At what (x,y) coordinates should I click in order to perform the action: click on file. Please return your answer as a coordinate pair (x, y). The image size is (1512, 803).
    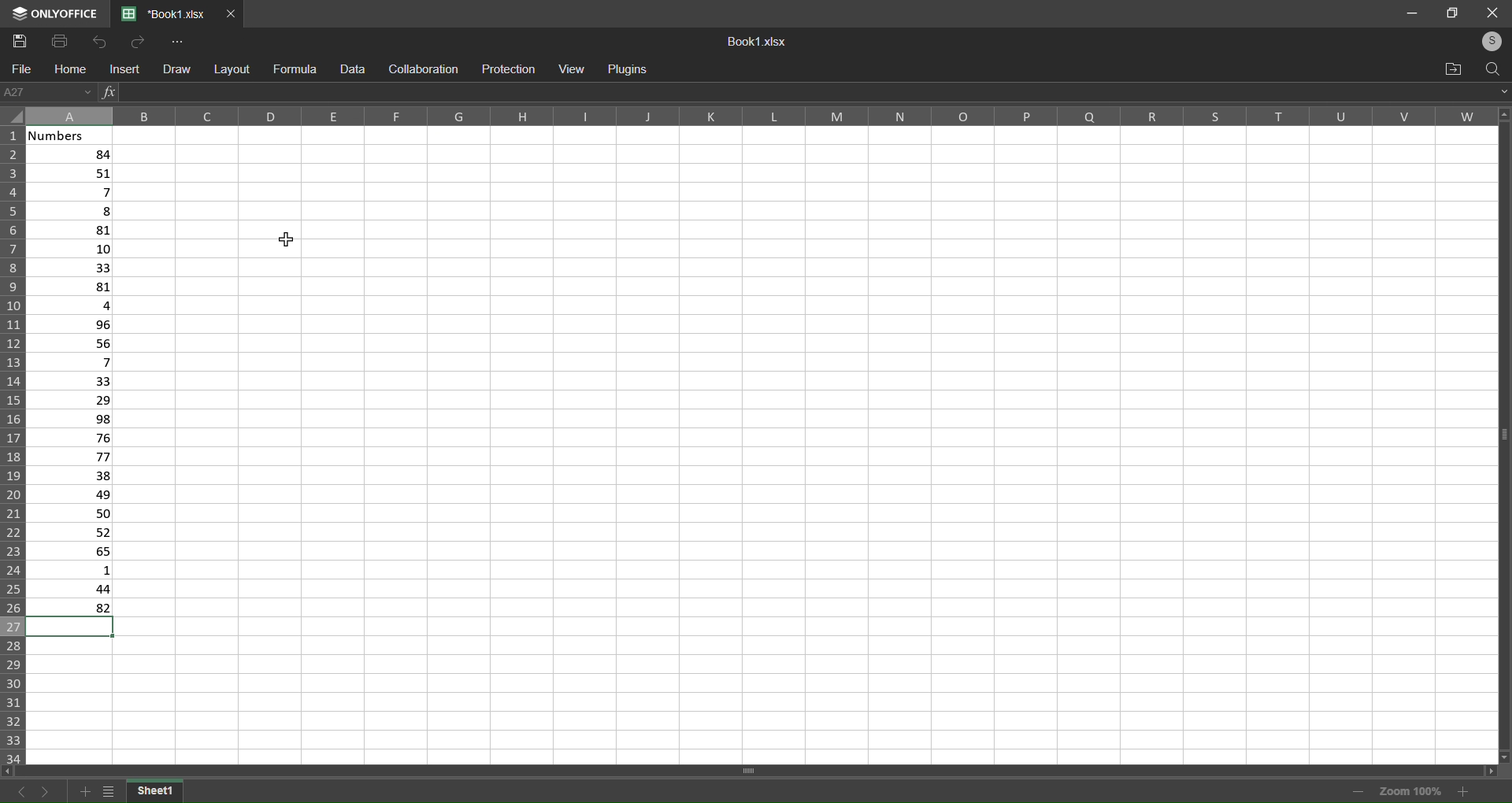
    Looking at the image, I should click on (22, 69).